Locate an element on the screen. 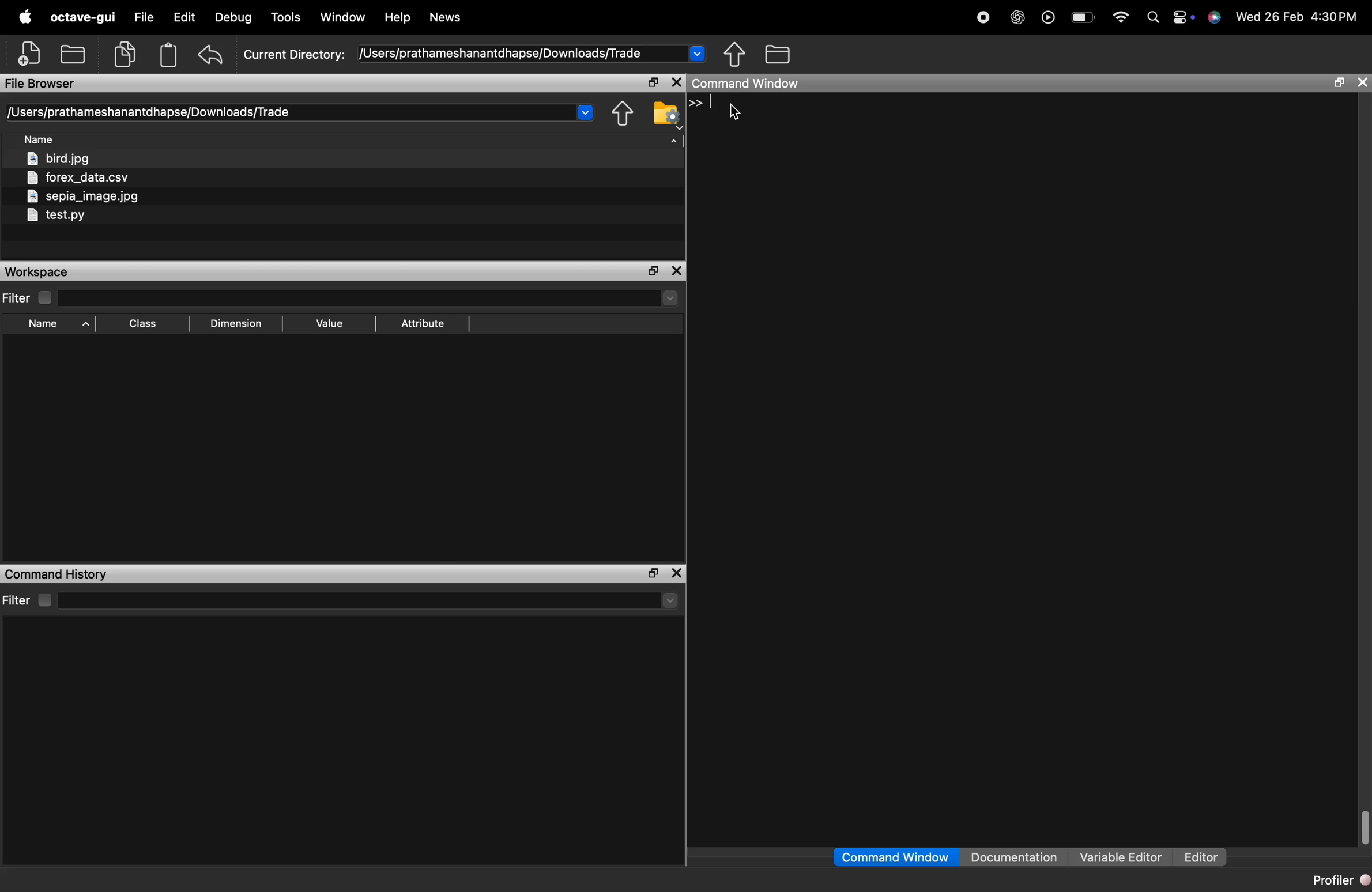 This screenshot has width=1372, height=892. Class is located at coordinates (144, 324).